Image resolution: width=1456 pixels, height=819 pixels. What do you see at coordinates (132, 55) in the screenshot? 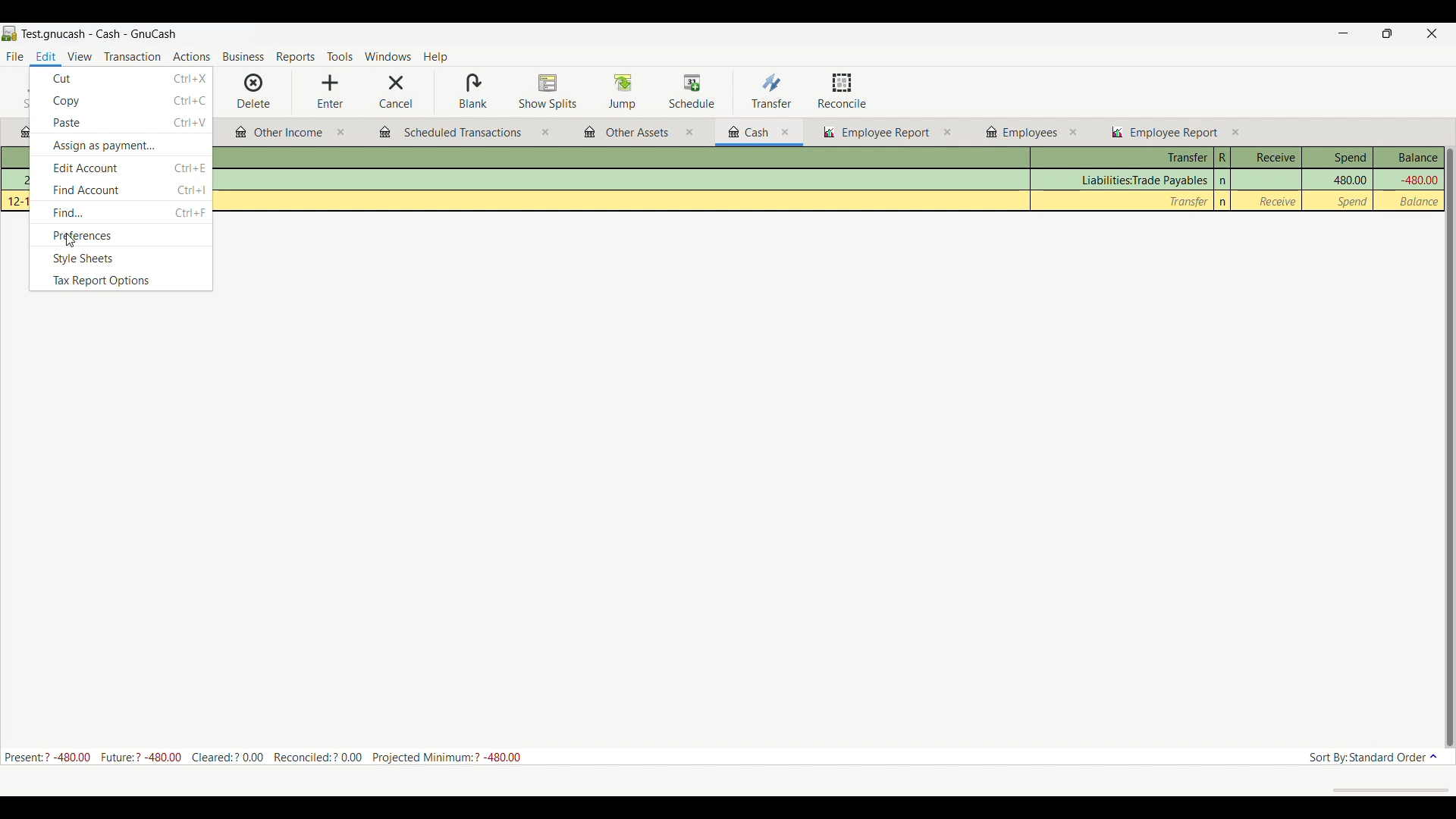
I see `Transaction` at bounding box center [132, 55].